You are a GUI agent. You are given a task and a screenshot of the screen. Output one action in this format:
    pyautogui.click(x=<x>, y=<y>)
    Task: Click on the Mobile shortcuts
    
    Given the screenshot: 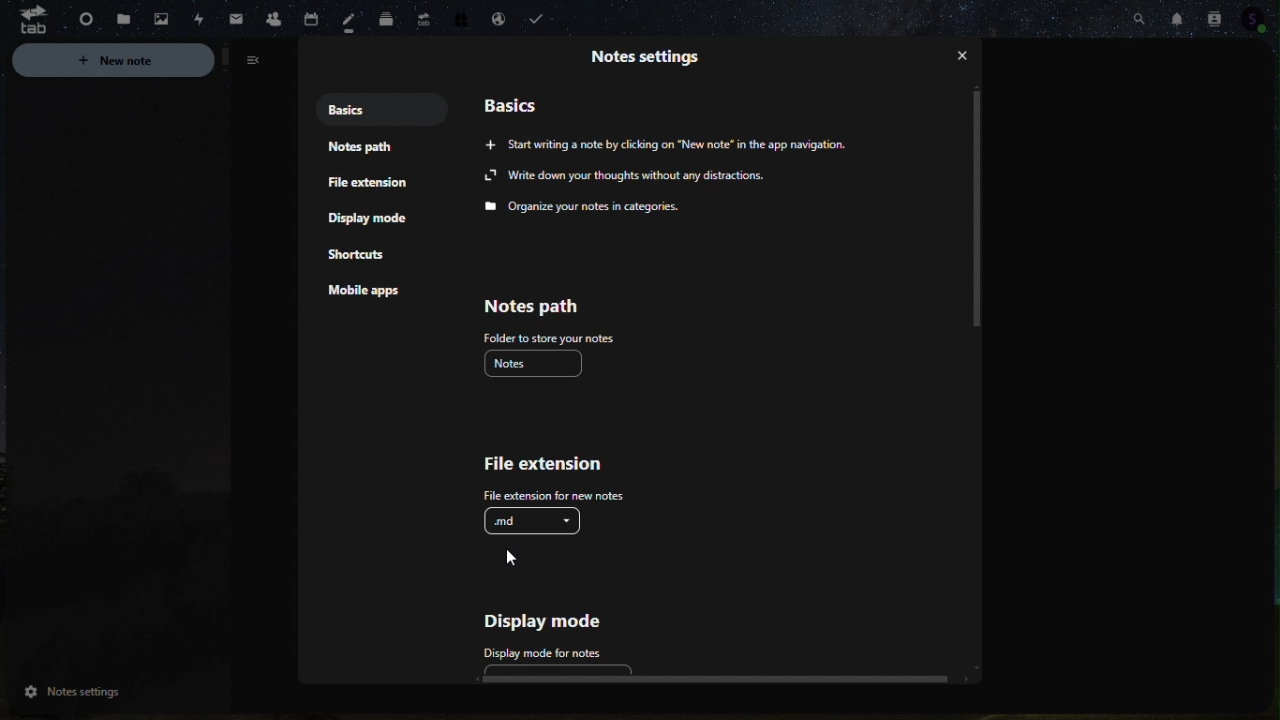 What is the action you would take?
    pyautogui.click(x=365, y=253)
    